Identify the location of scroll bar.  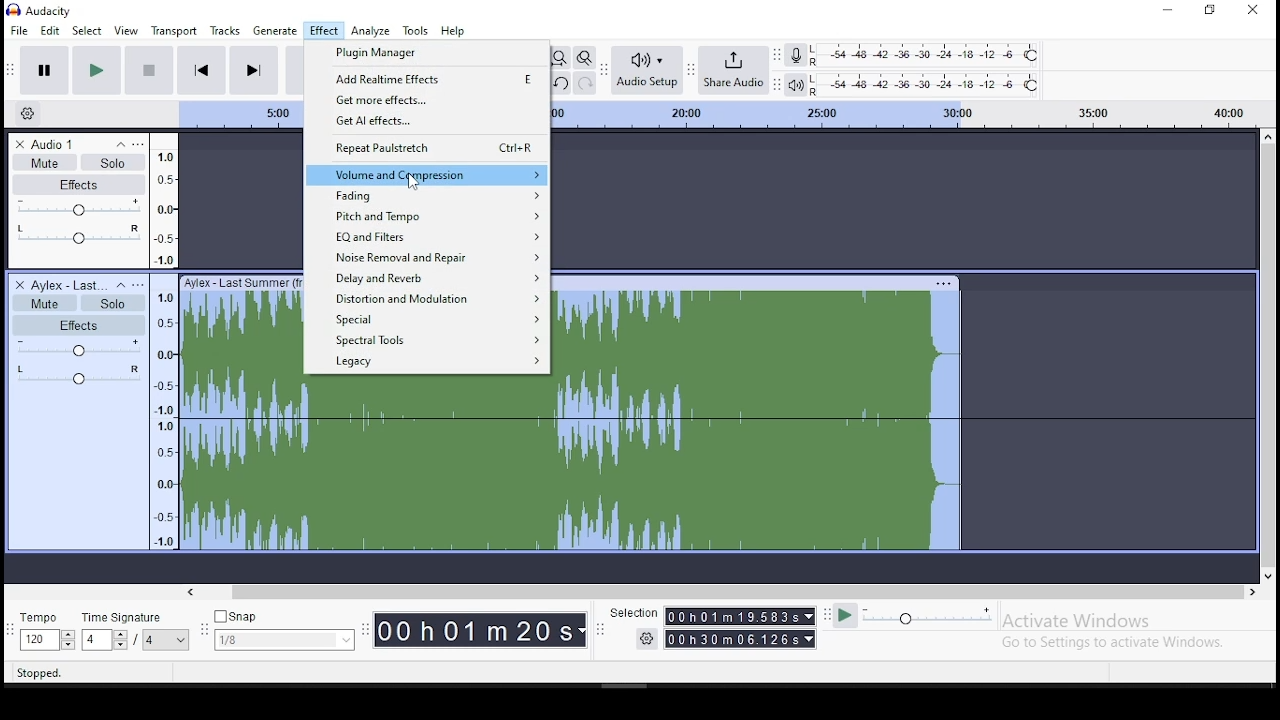
(724, 591).